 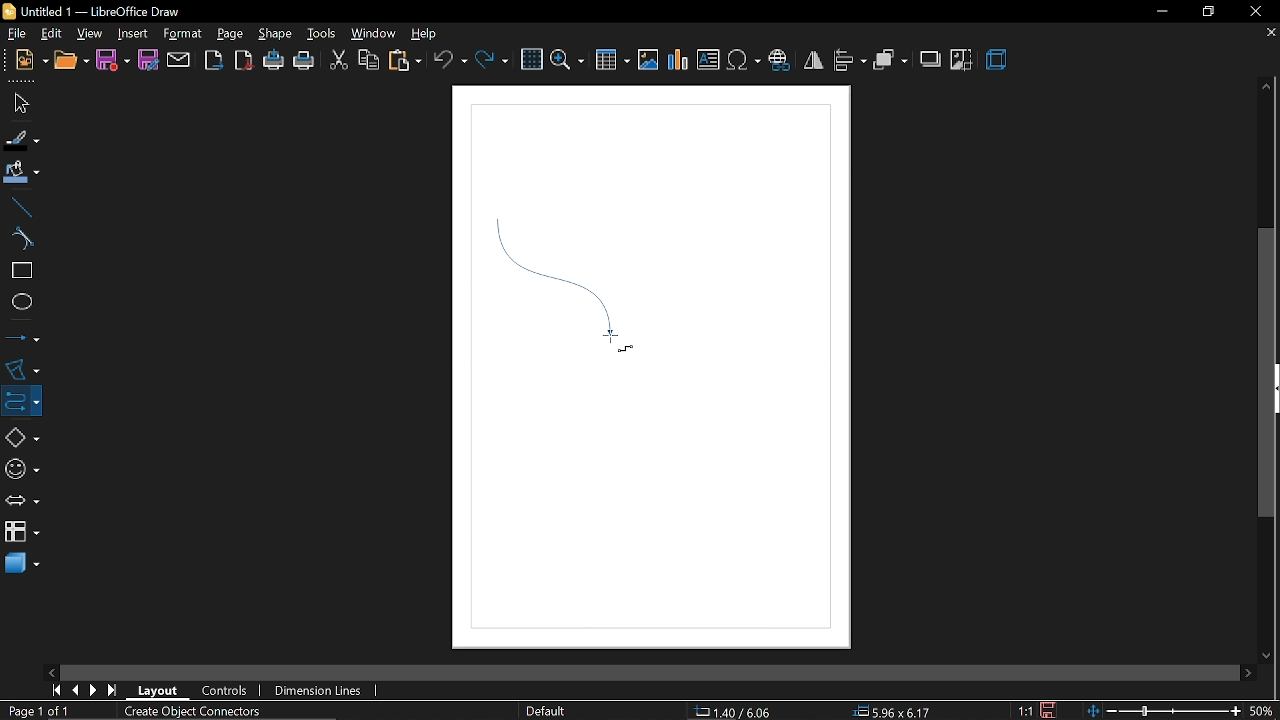 What do you see at coordinates (649, 61) in the screenshot?
I see `Insert image` at bounding box center [649, 61].